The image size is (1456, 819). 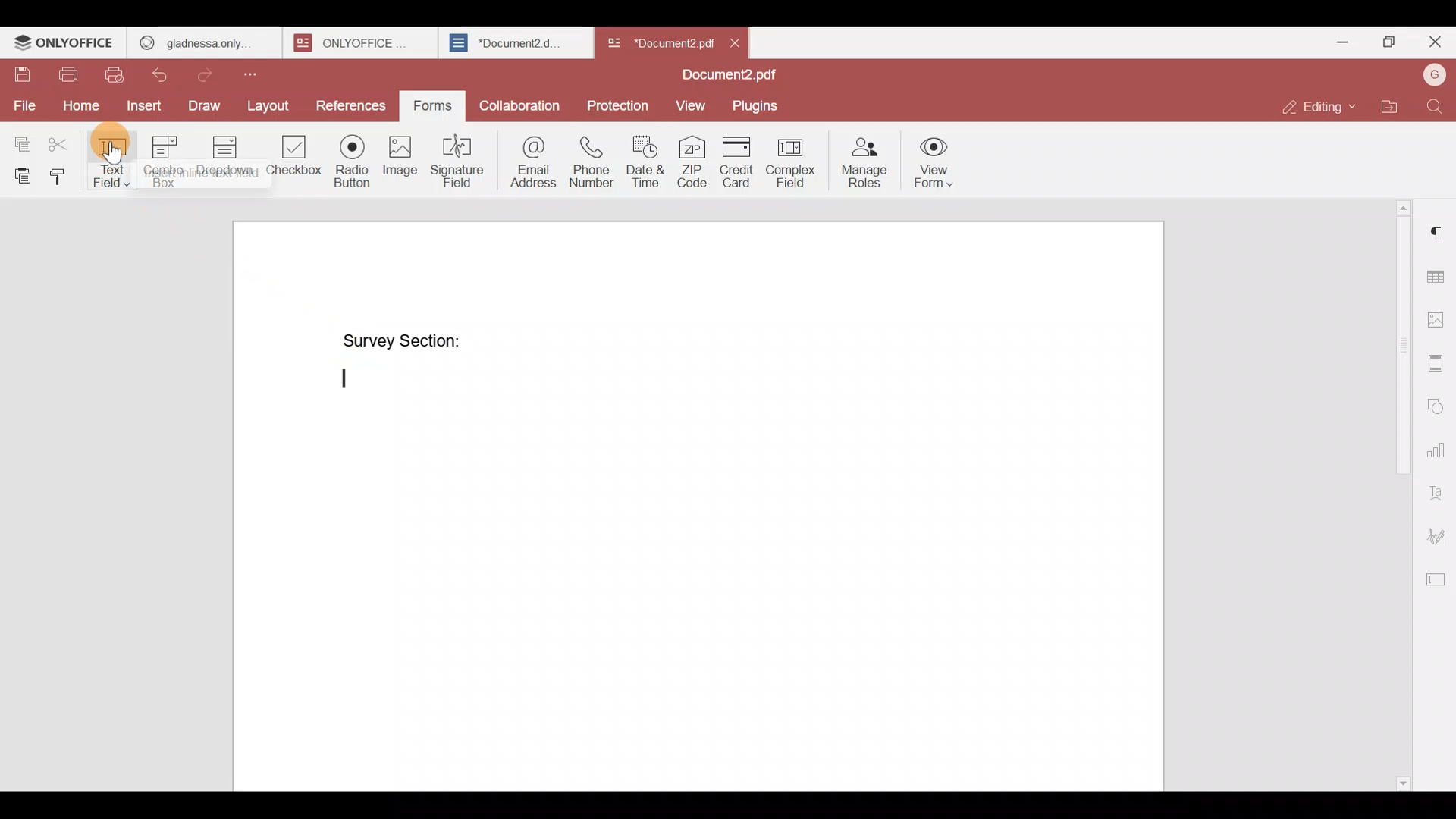 I want to click on Copy style, so click(x=59, y=173).